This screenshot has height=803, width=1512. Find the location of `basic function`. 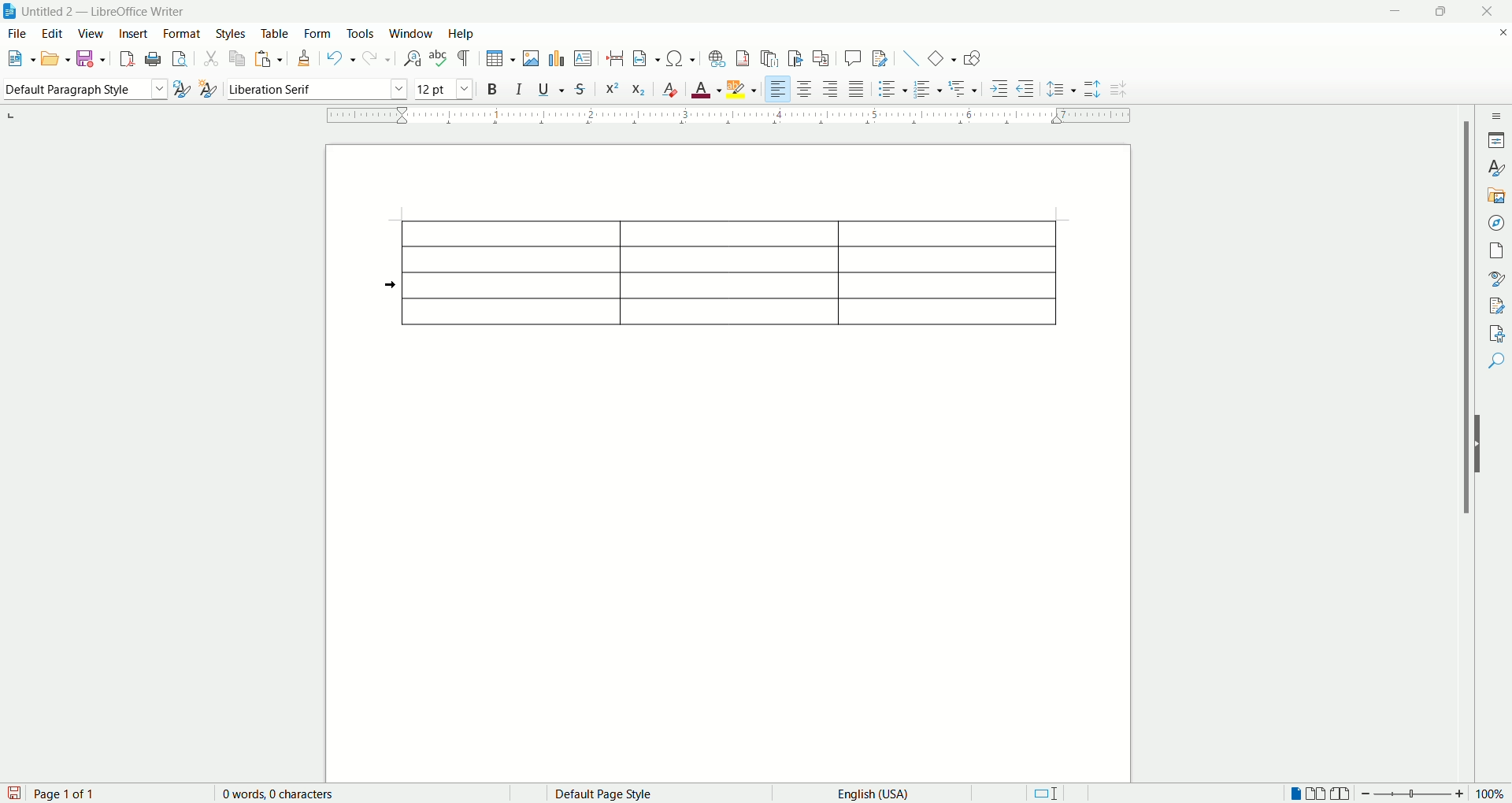

basic function is located at coordinates (941, 57).